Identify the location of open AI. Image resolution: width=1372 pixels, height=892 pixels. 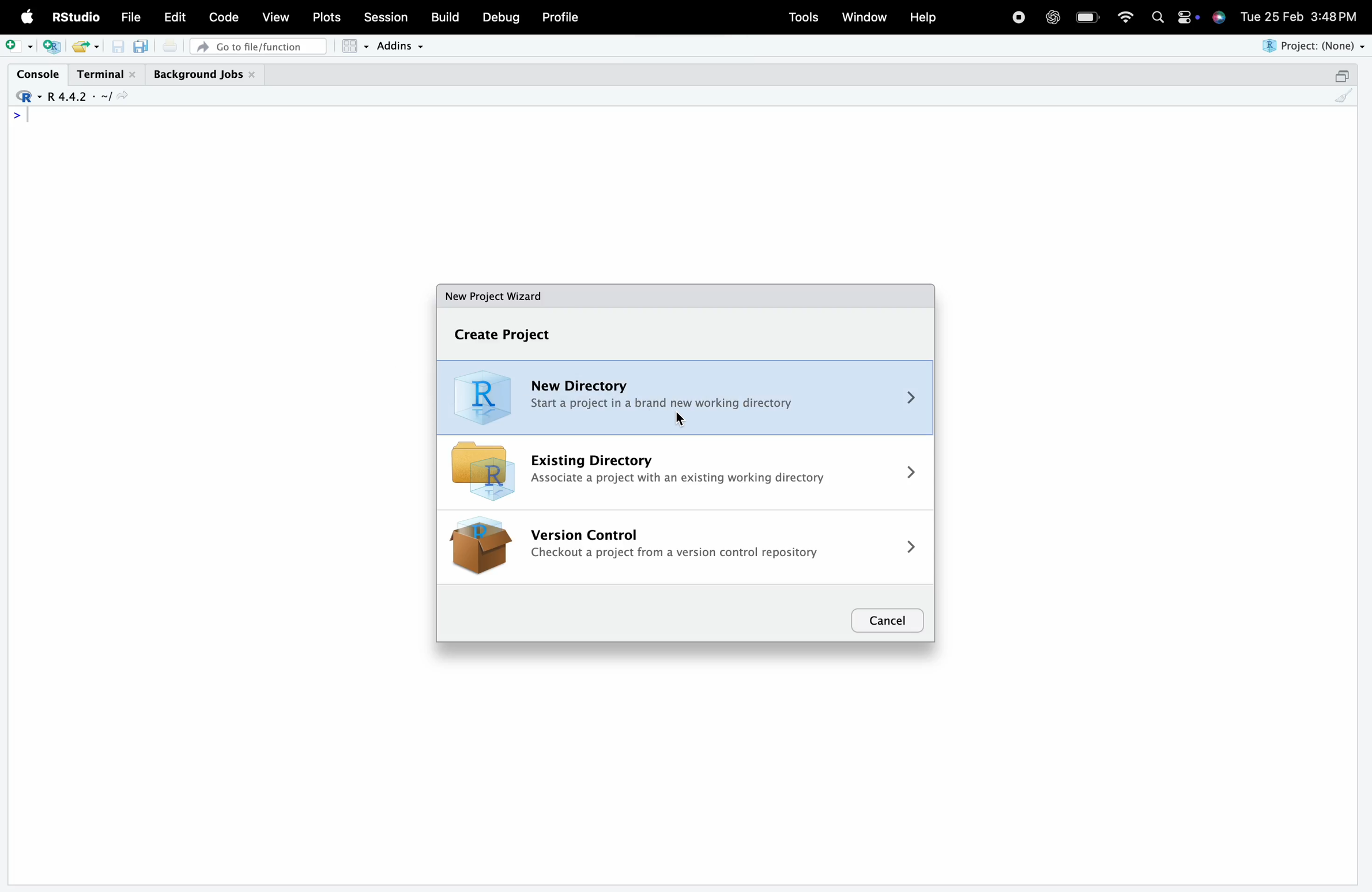
(1052, 17).